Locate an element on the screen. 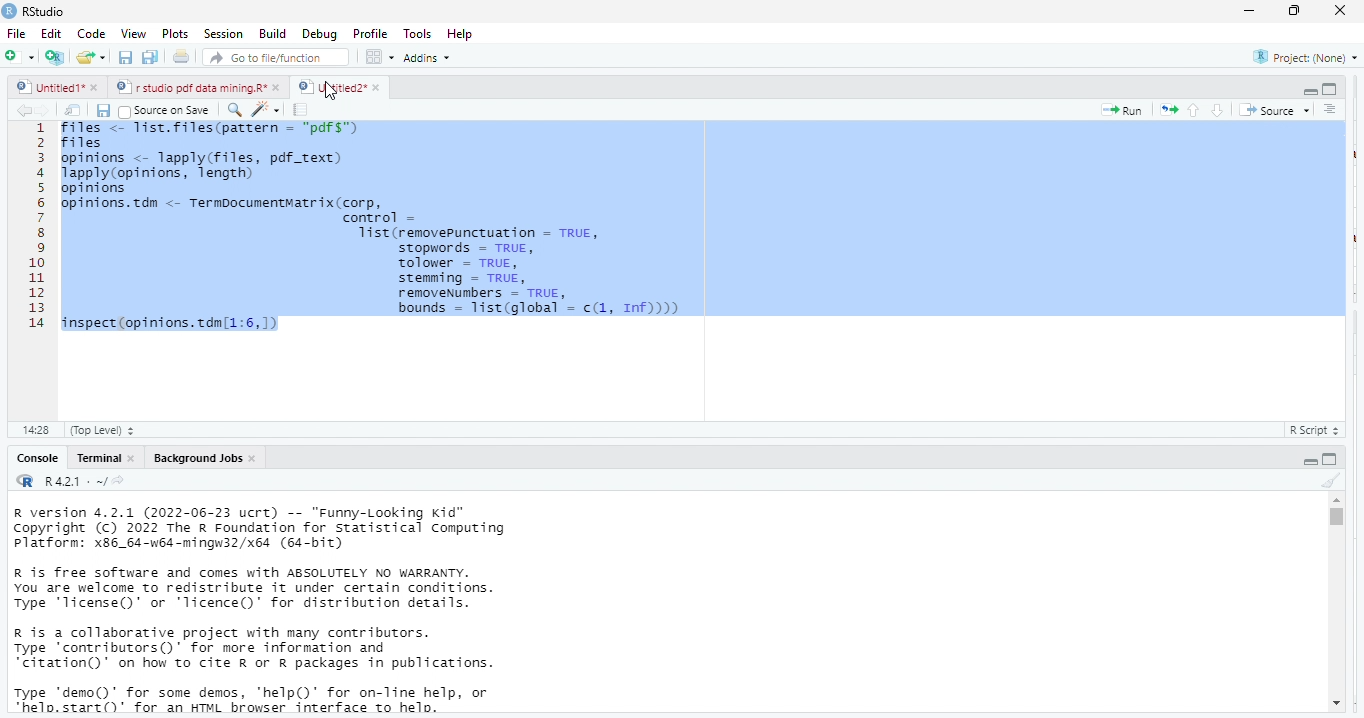 Image resolution: width=1364 pixels, height=718 pixels. close is located at coordinates (255, 458).